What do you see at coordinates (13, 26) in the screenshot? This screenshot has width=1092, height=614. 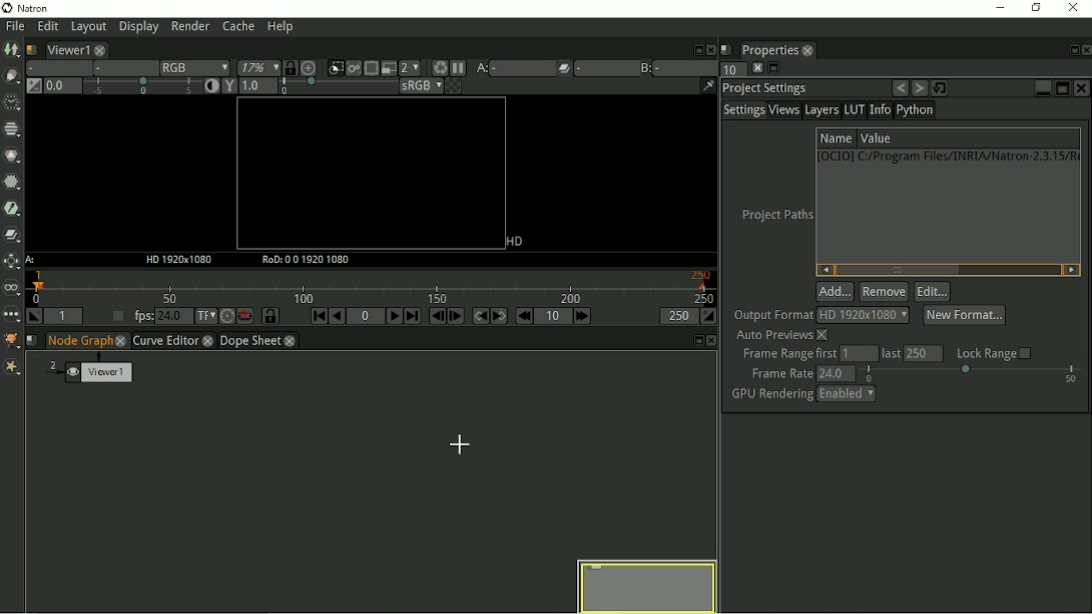 I see `File` at bounding box center [13, 26].